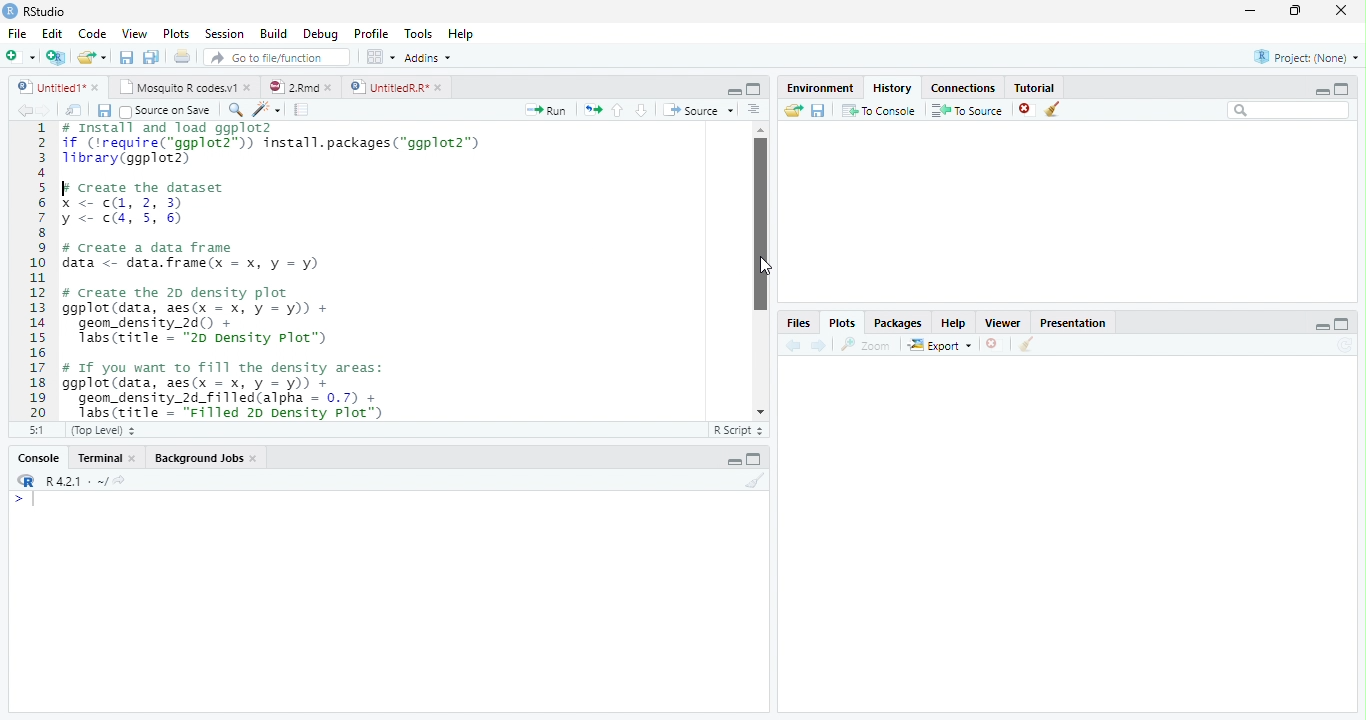 The width and height of the screenshot is (1366, 720). Describe the element at coordinates (302, 111) in the screenshot. I see `compile report` at that location.